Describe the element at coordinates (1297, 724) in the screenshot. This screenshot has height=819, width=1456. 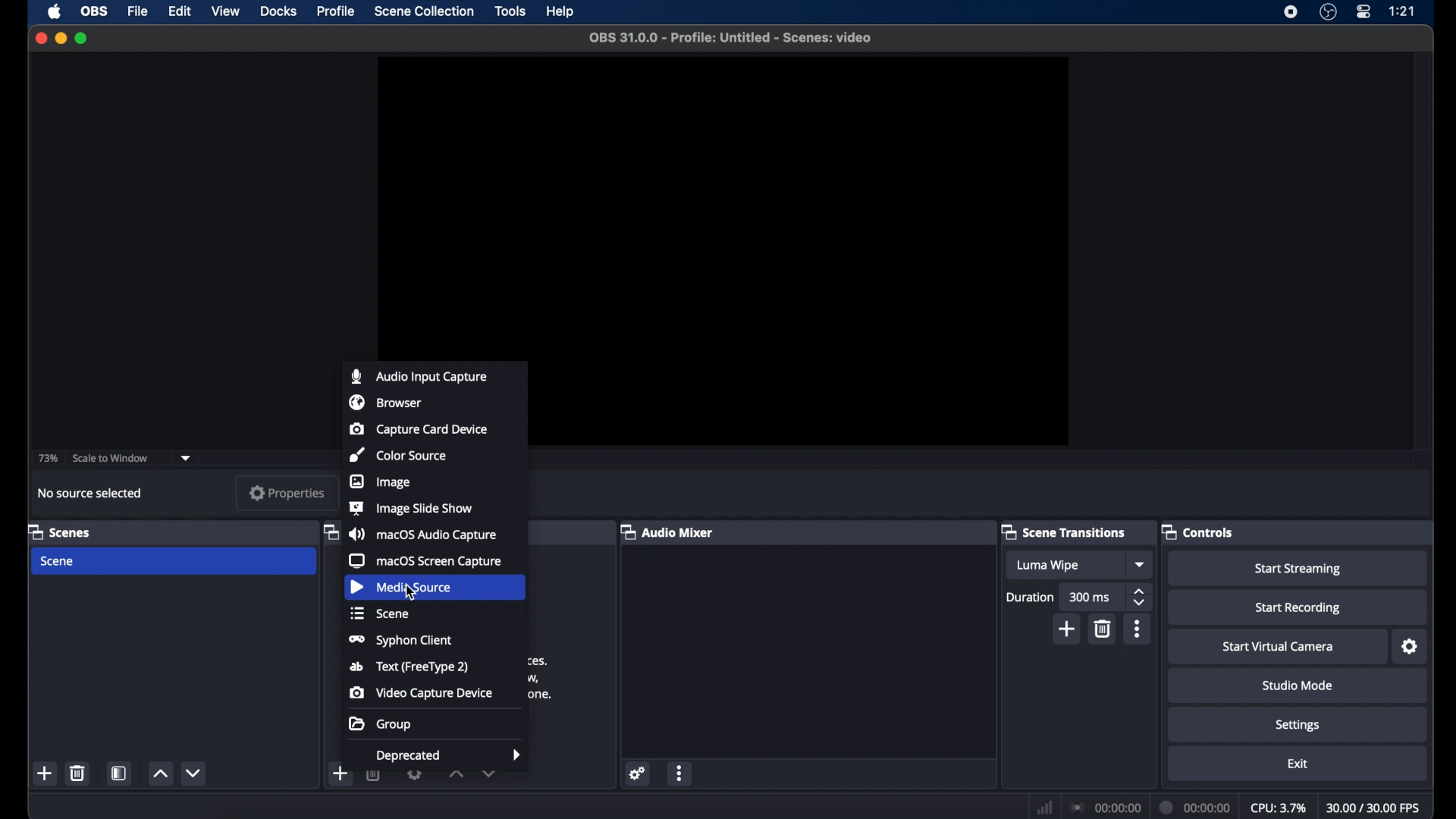
I see `settings` at that location.